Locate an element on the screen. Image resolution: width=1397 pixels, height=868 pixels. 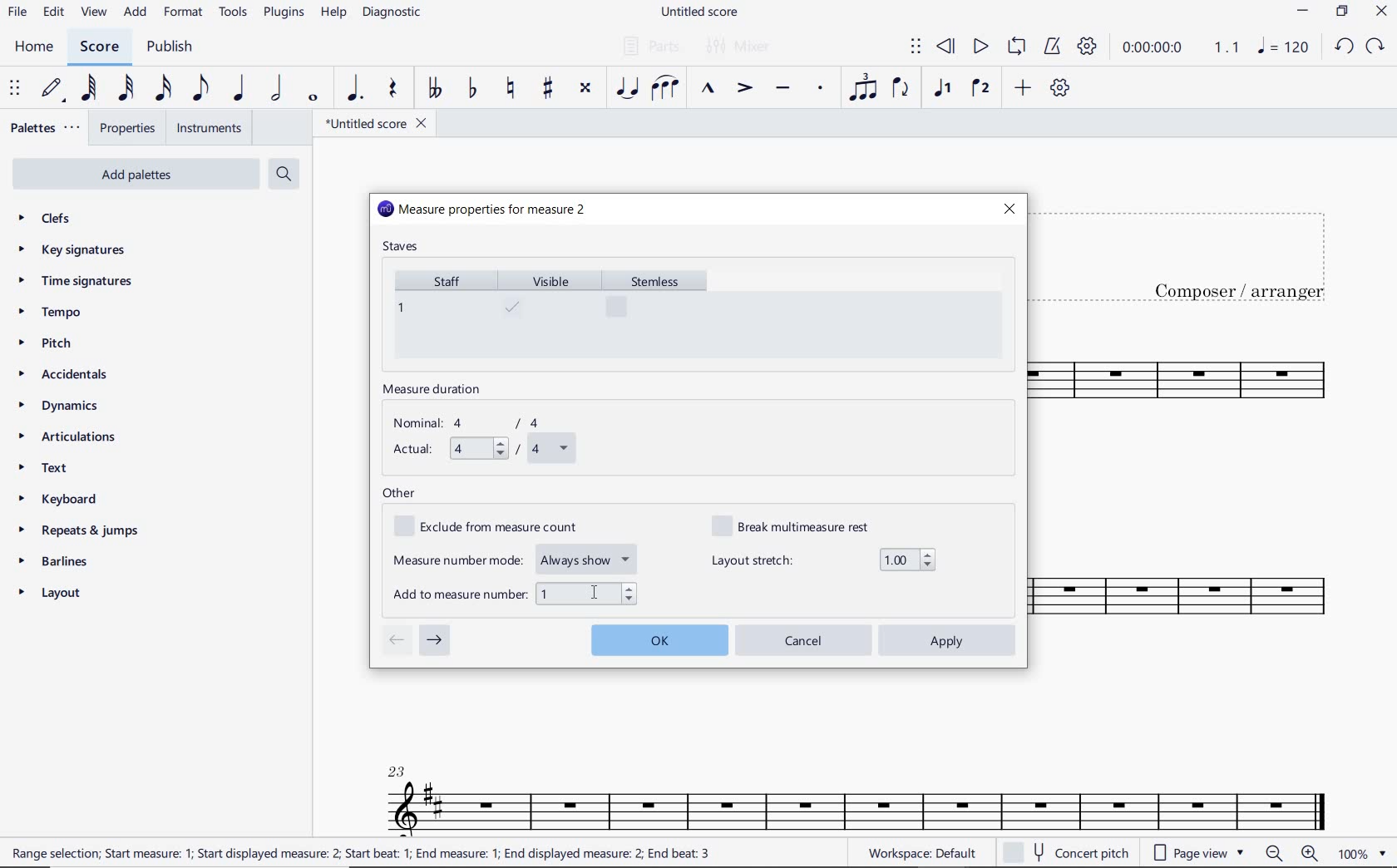
INSTRUMENTS is located at coordinates (205, 127).